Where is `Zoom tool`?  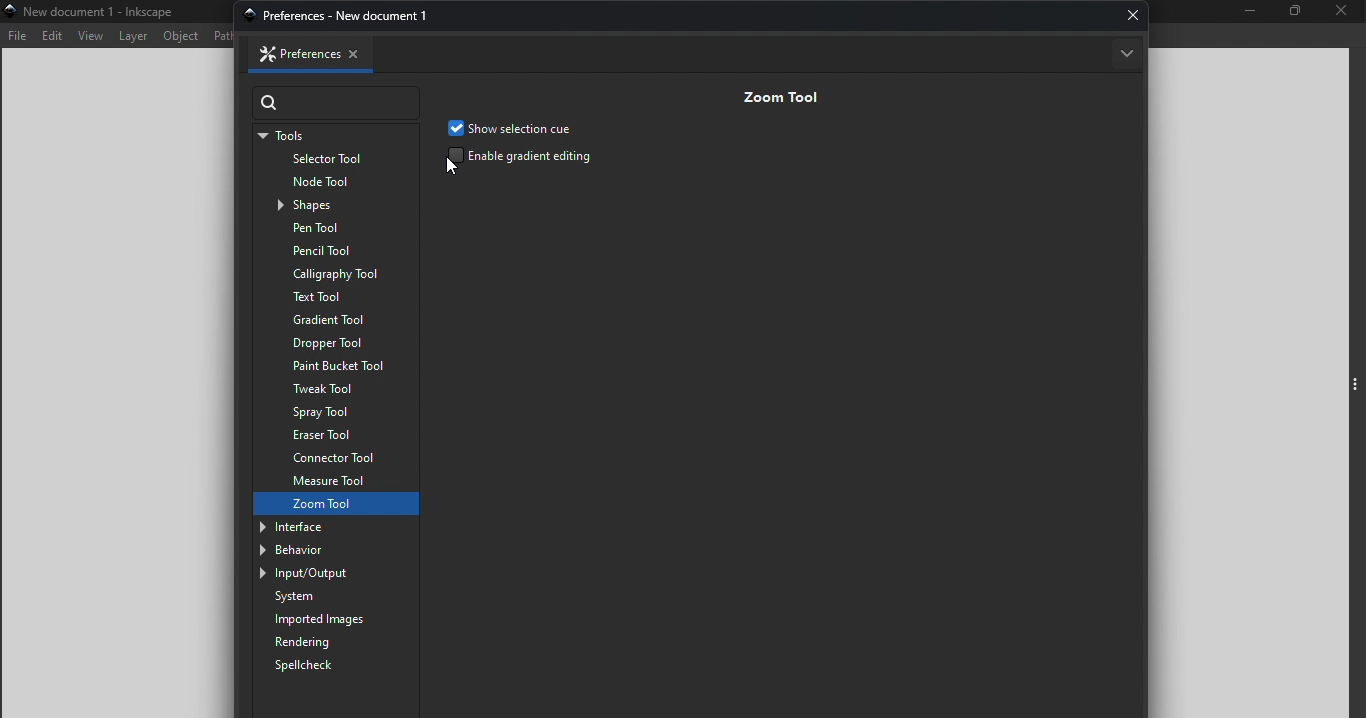
Zoom tool is located at coordinates (317, 503).